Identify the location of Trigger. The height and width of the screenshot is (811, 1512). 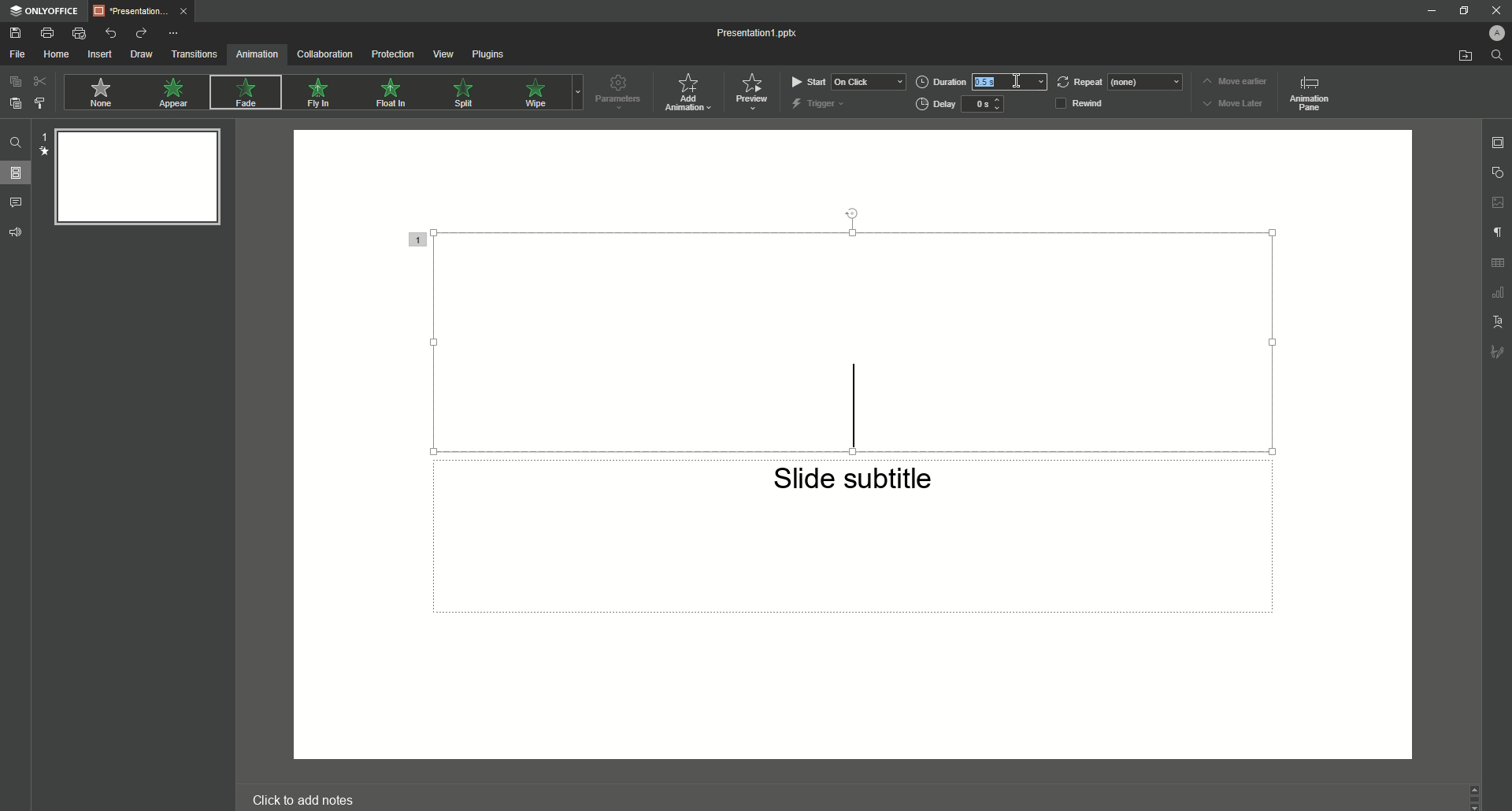
(819, 103).